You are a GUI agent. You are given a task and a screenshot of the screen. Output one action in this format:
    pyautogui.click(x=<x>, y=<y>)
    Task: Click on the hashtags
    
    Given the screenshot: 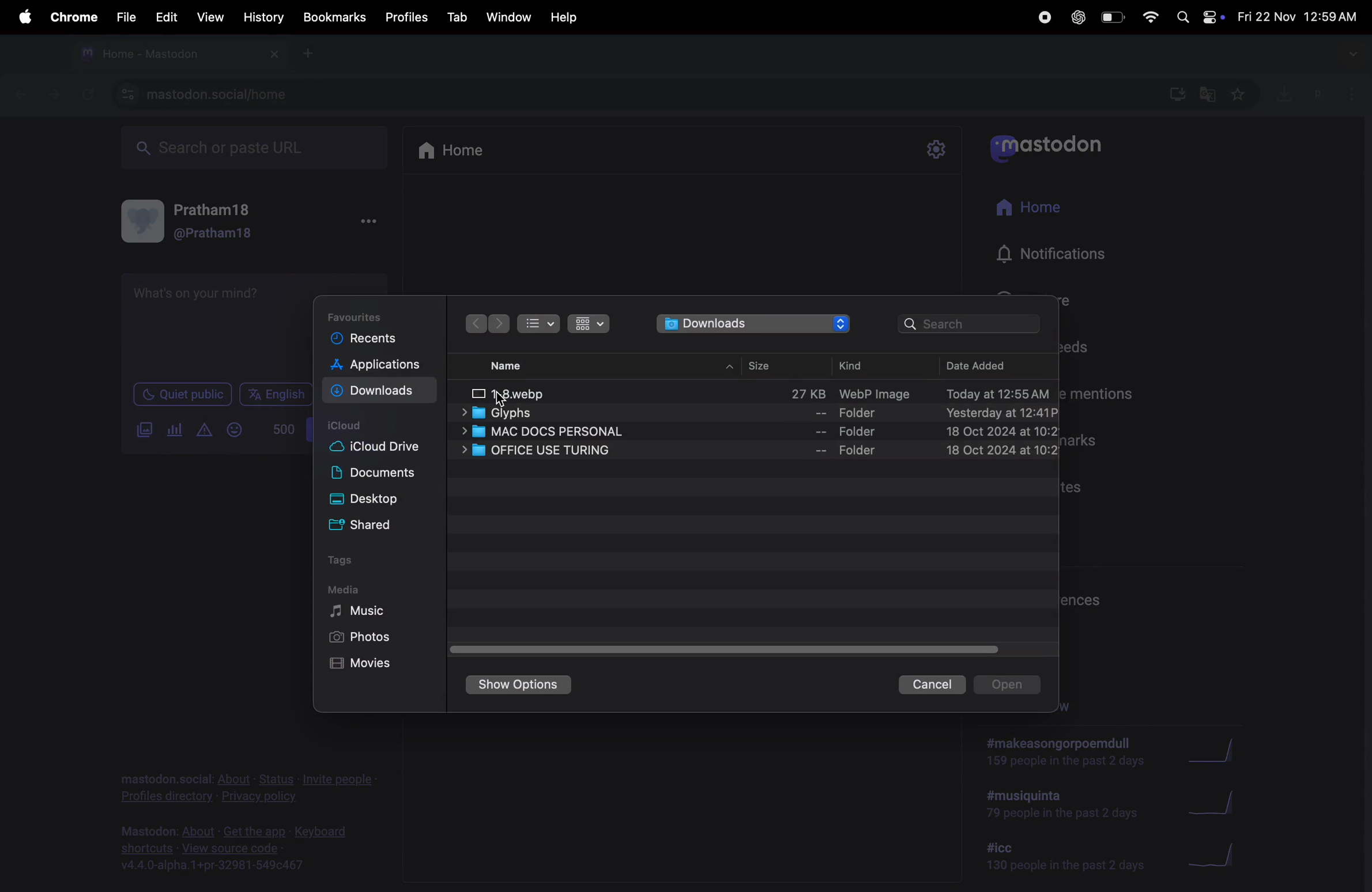 What is the action you would take?
    pyautogui.click(x=1062, y=810)
    